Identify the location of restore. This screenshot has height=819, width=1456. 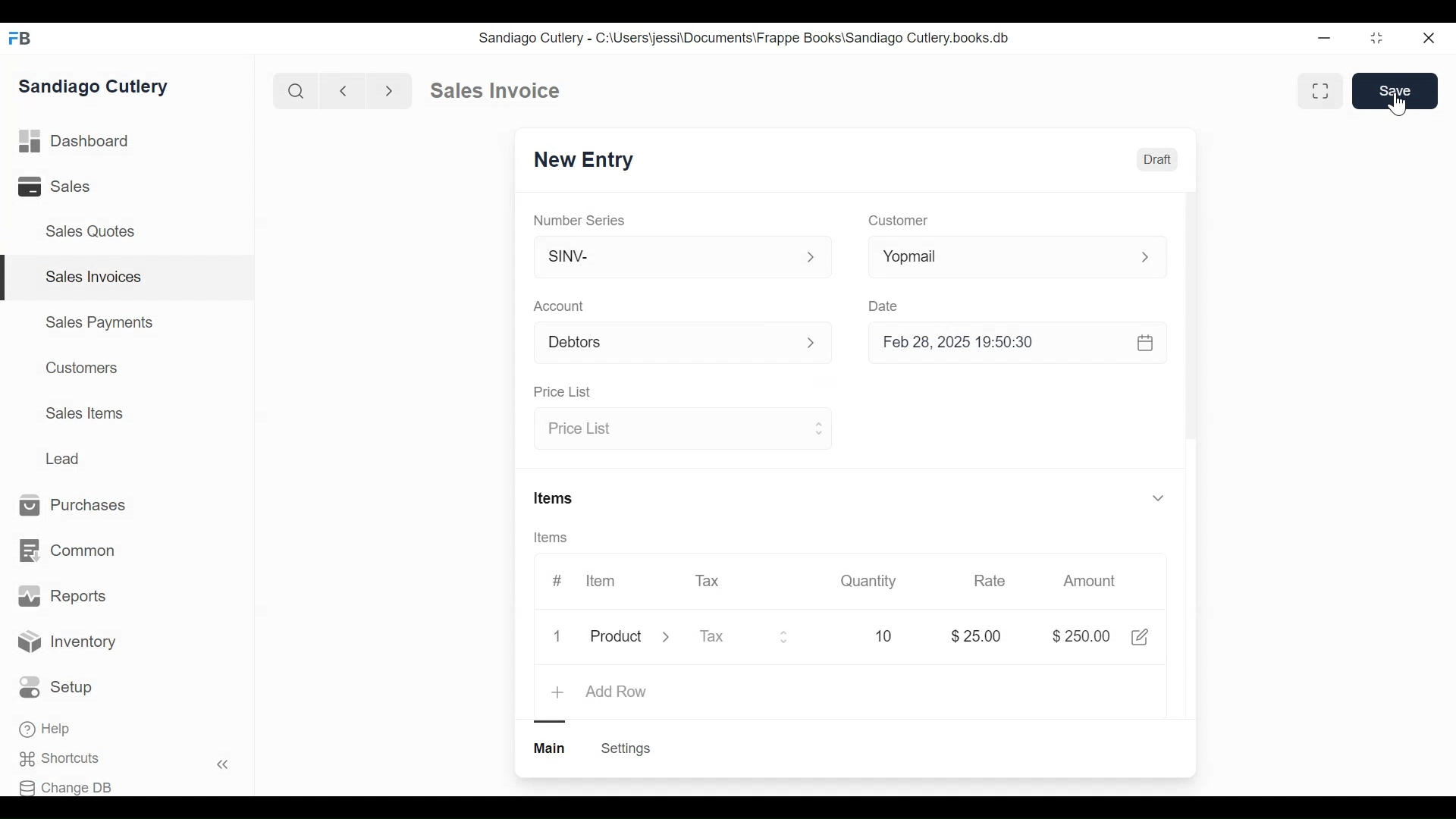
(1376, 37).